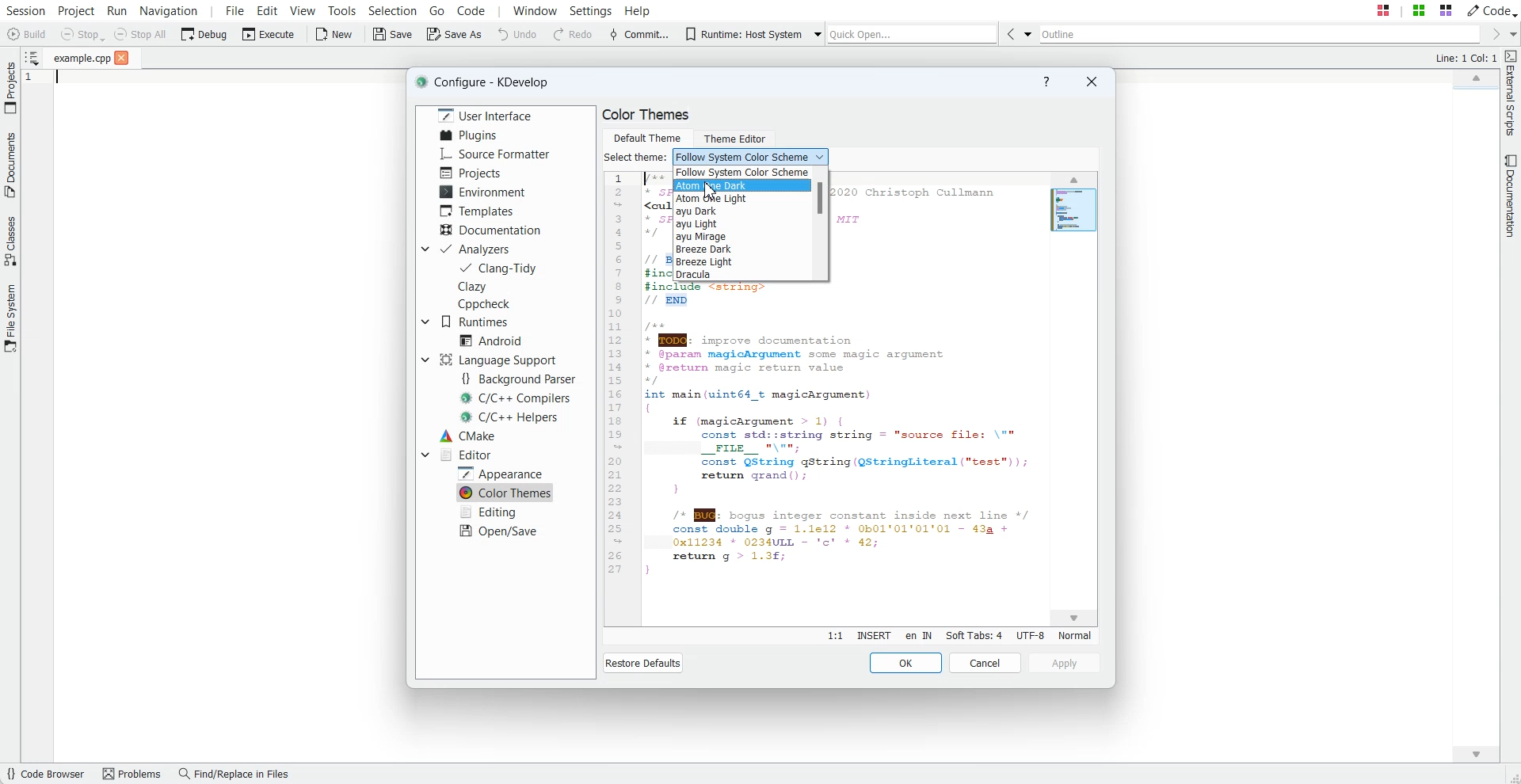 The image size is (1521, 784). Describe the element at coordinates (467, 436) in the screenshot. I see `CMake` at that location.